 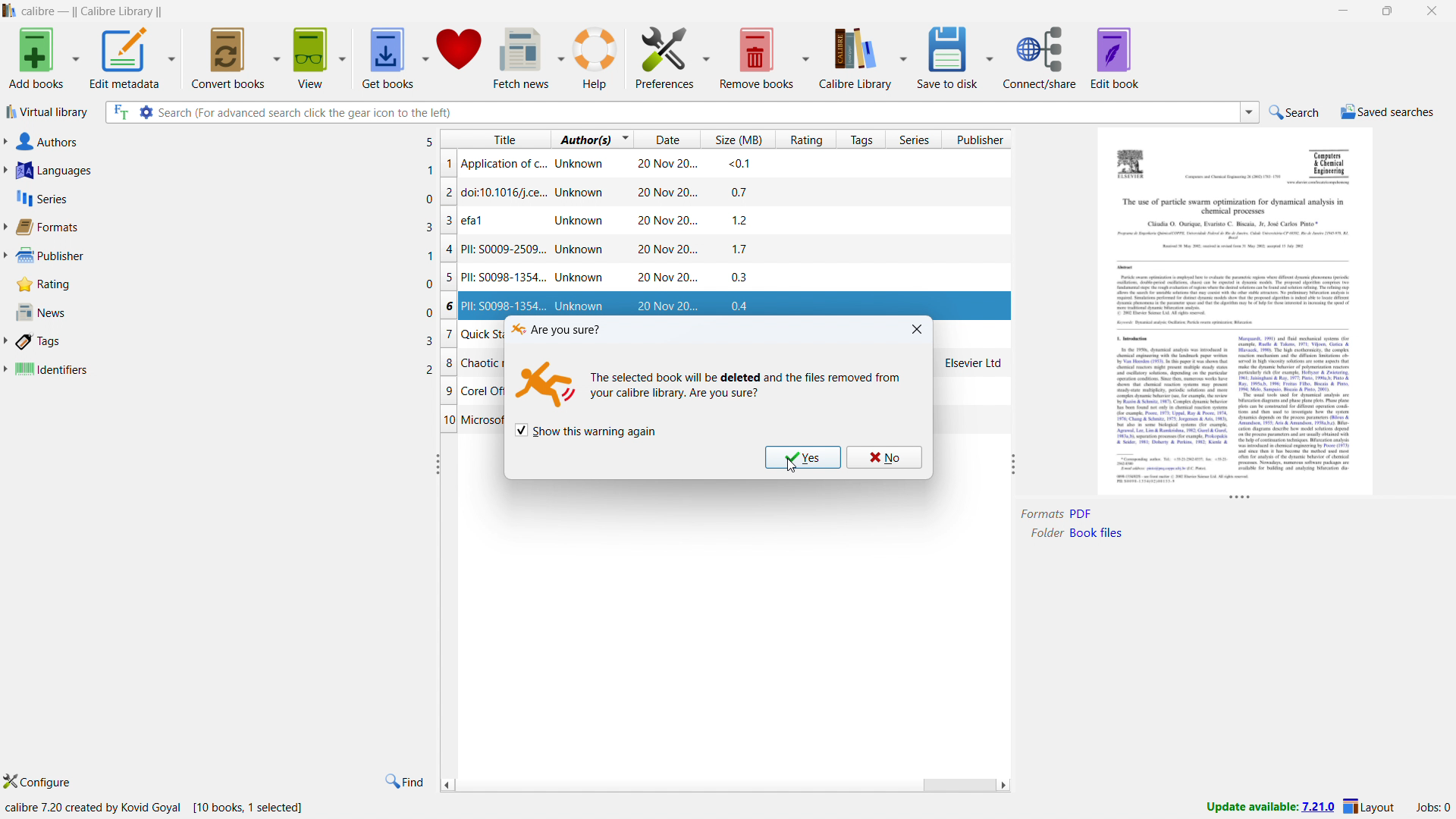 I want to click on sort by authors, so click(x=583, y=139).